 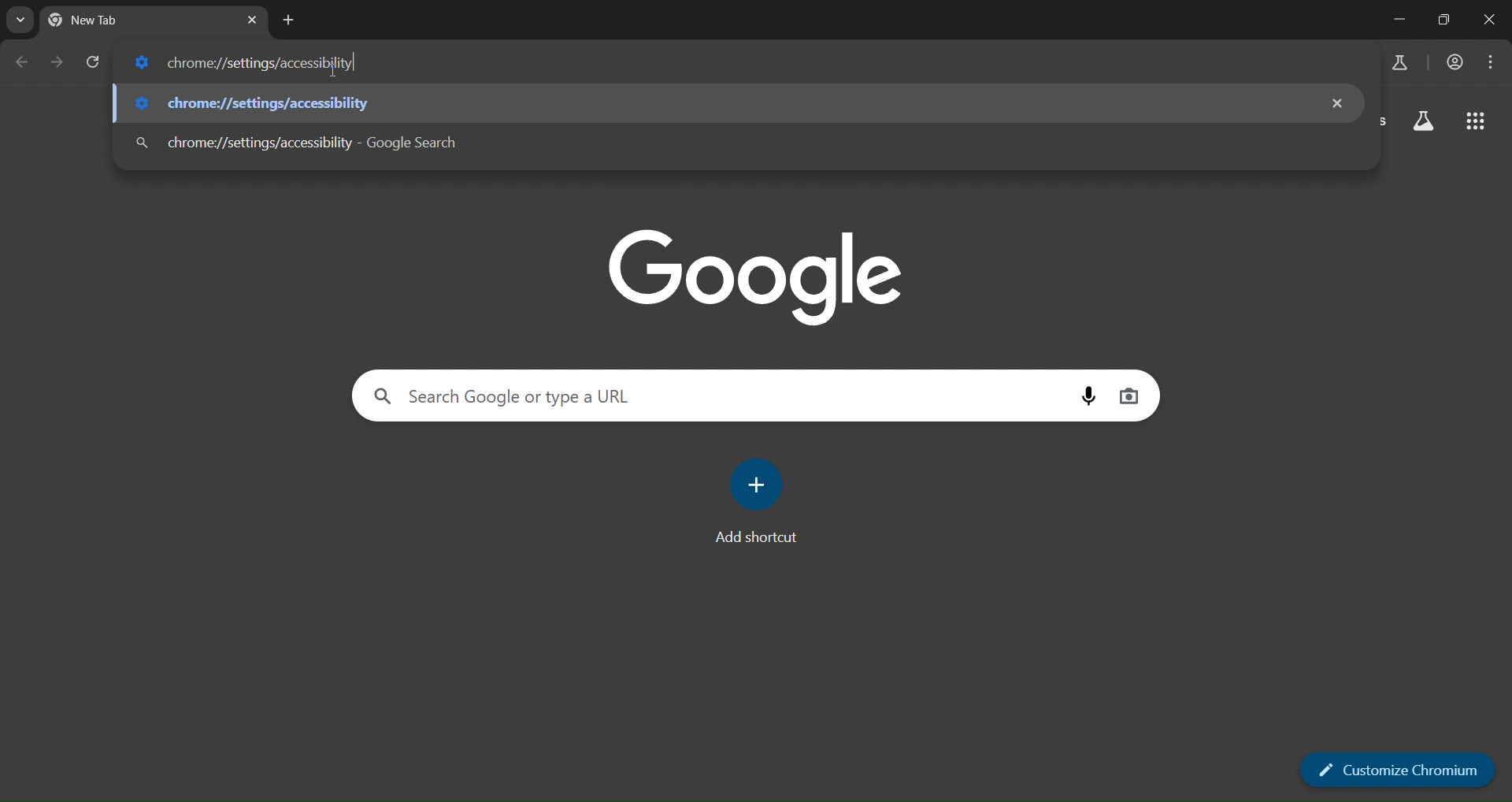 What do you see at coordinates (248, 103) in the screenshot?
I see `chrome://settings/accessibility` at bounding box center [248, 103].